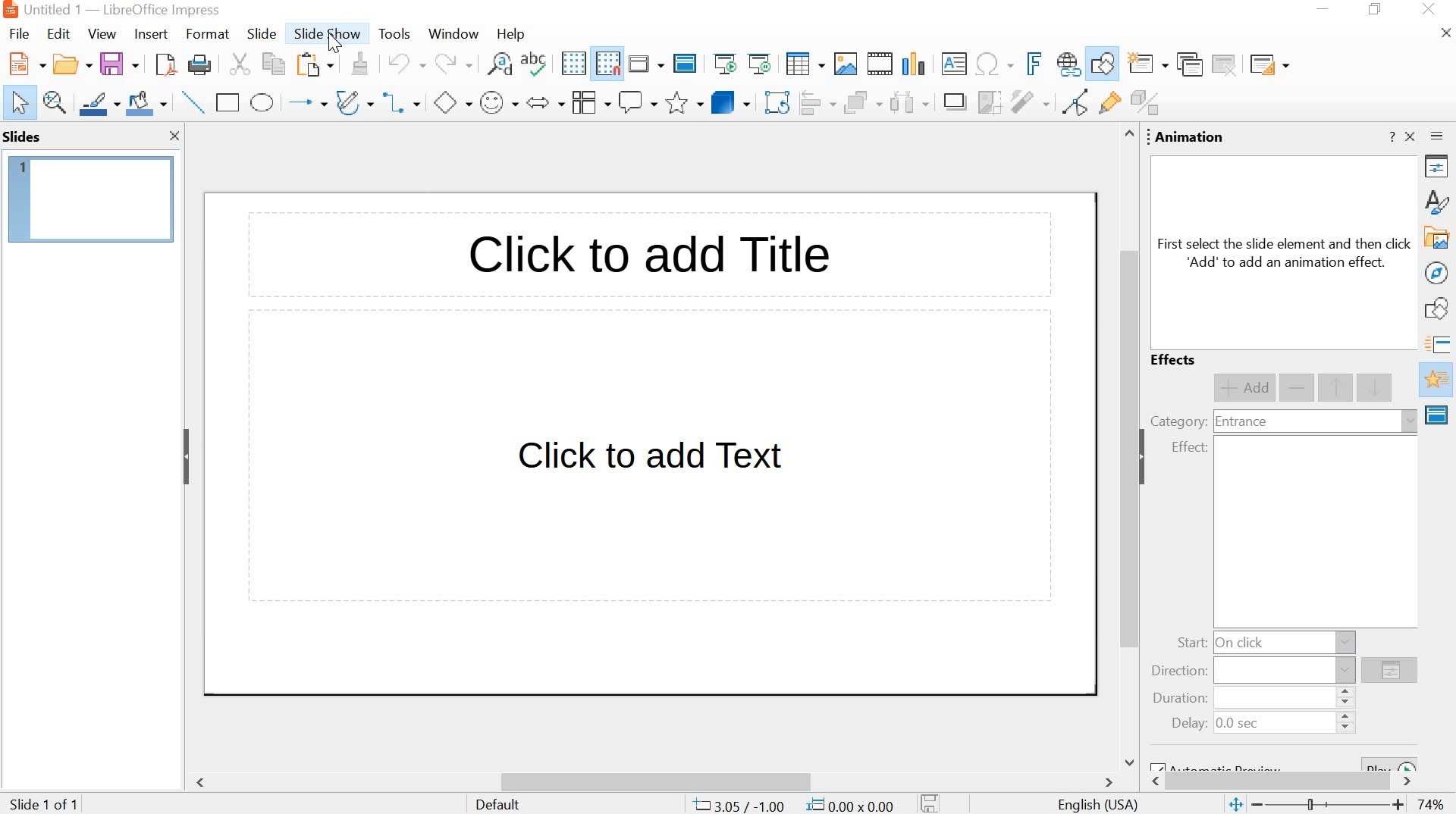 The width and height of the screenshot is (1456, 814). Describe the element at coordinates (498, 104) in the screenshot. I see `symbol shapes` at that location.